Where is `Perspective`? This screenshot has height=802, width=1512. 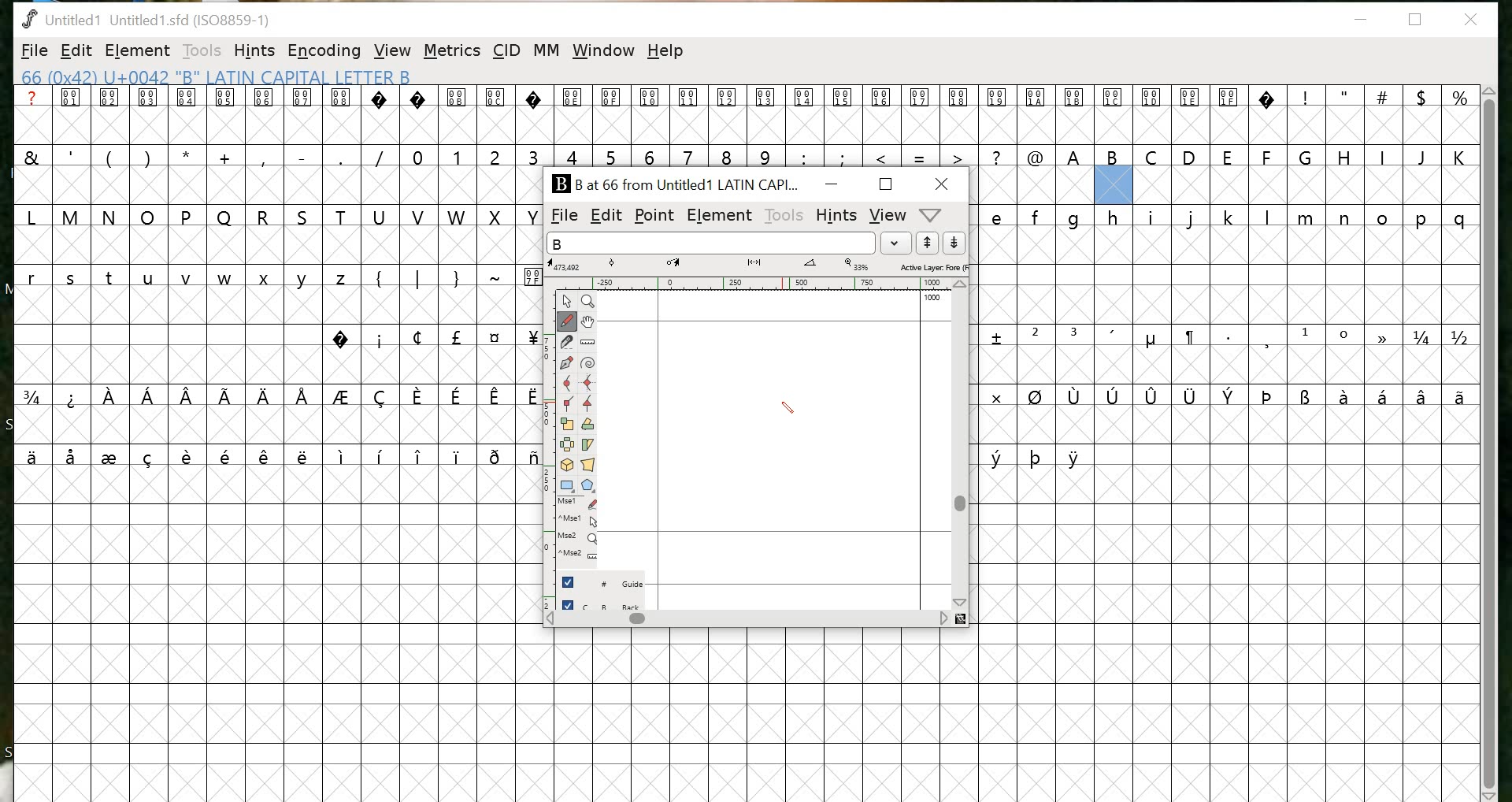
Perspective is located at coordinates (588, 466).